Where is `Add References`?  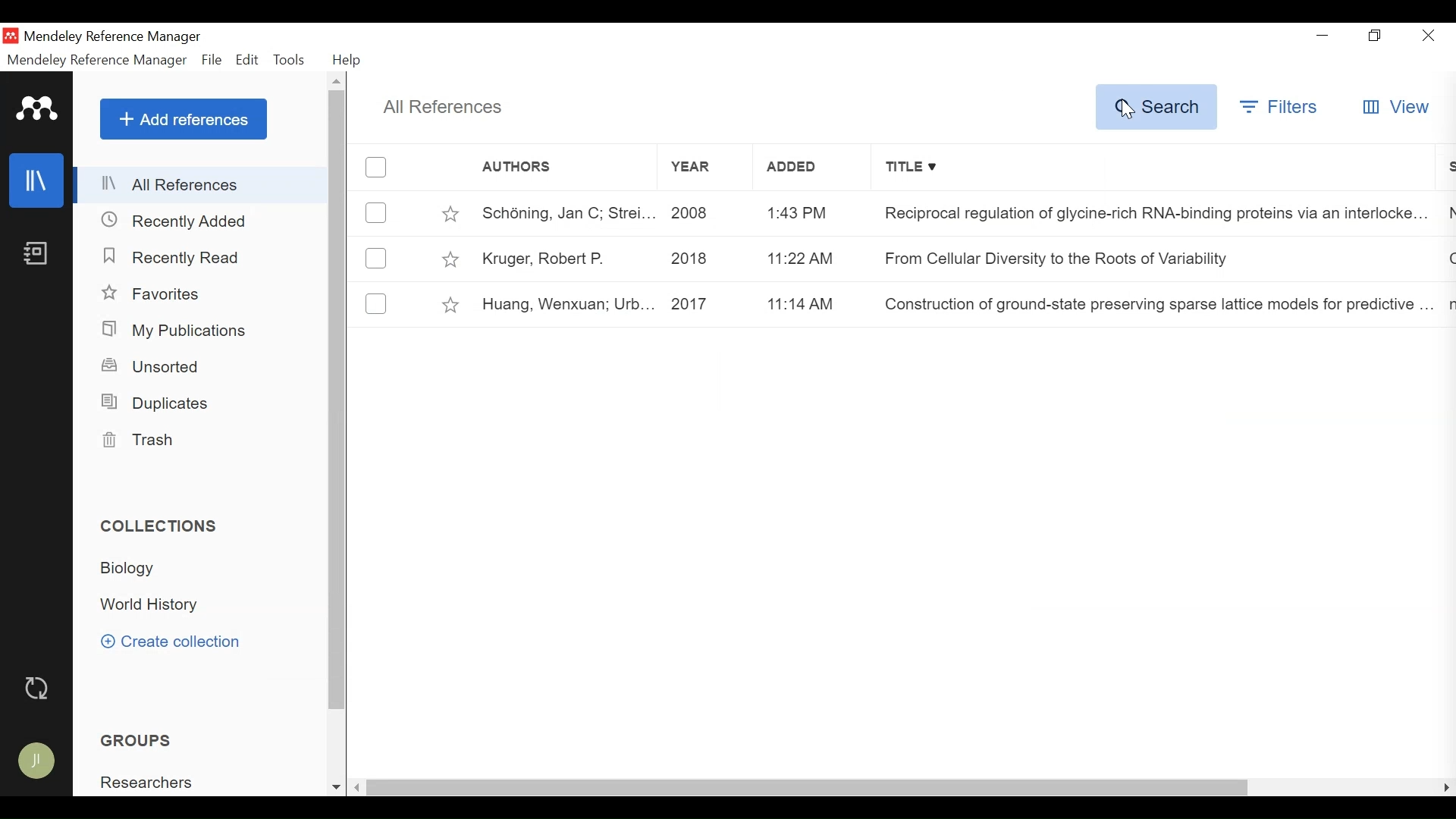
Add References is located at coordinates (184, 118).